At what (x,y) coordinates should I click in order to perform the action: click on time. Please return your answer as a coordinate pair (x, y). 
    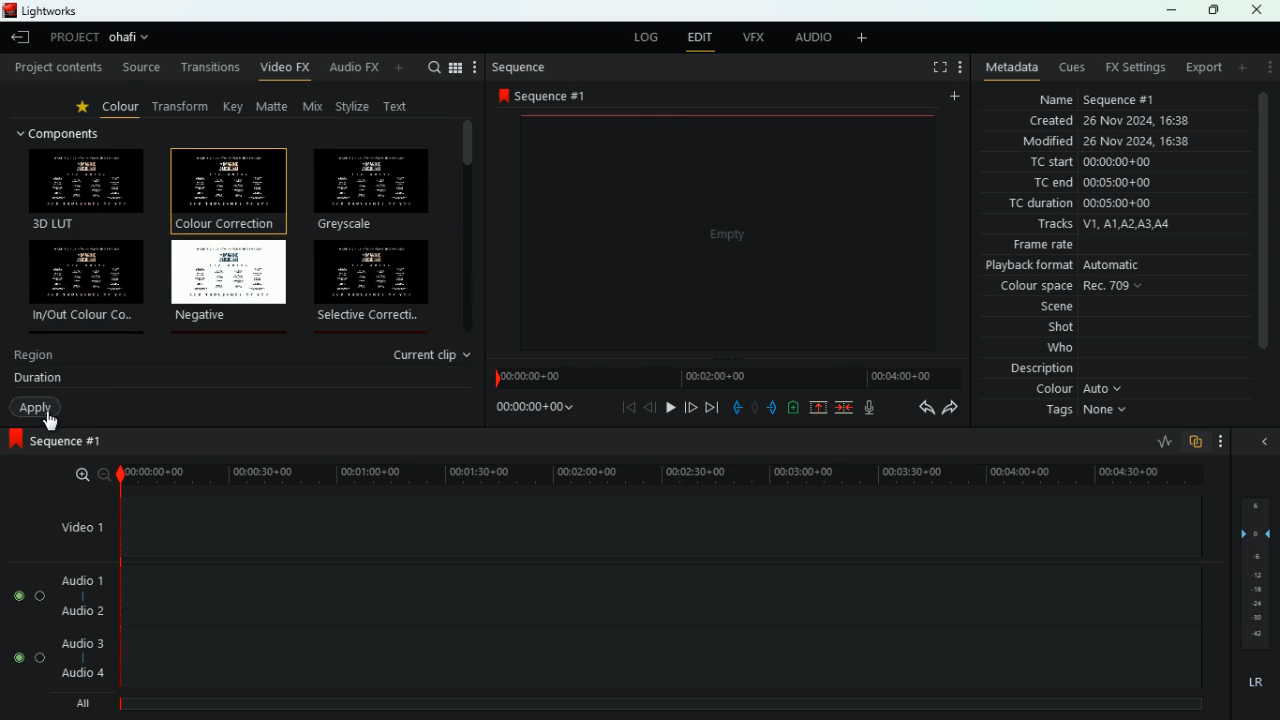
    Looking at the image, I should click on (653, 471).